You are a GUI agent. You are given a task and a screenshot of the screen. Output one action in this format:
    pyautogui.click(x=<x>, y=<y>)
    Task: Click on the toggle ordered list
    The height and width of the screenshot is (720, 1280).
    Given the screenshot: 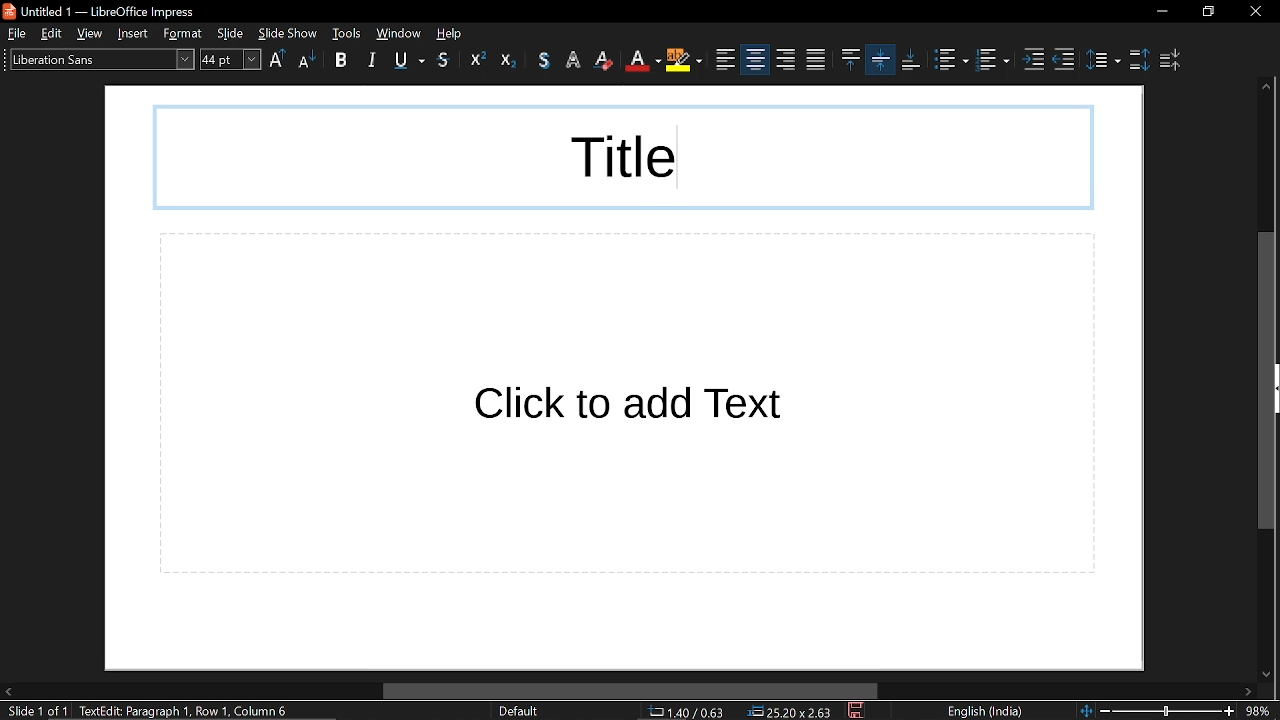 What is the action you would take?
    pyautogui.click(x=995, y=62)
    